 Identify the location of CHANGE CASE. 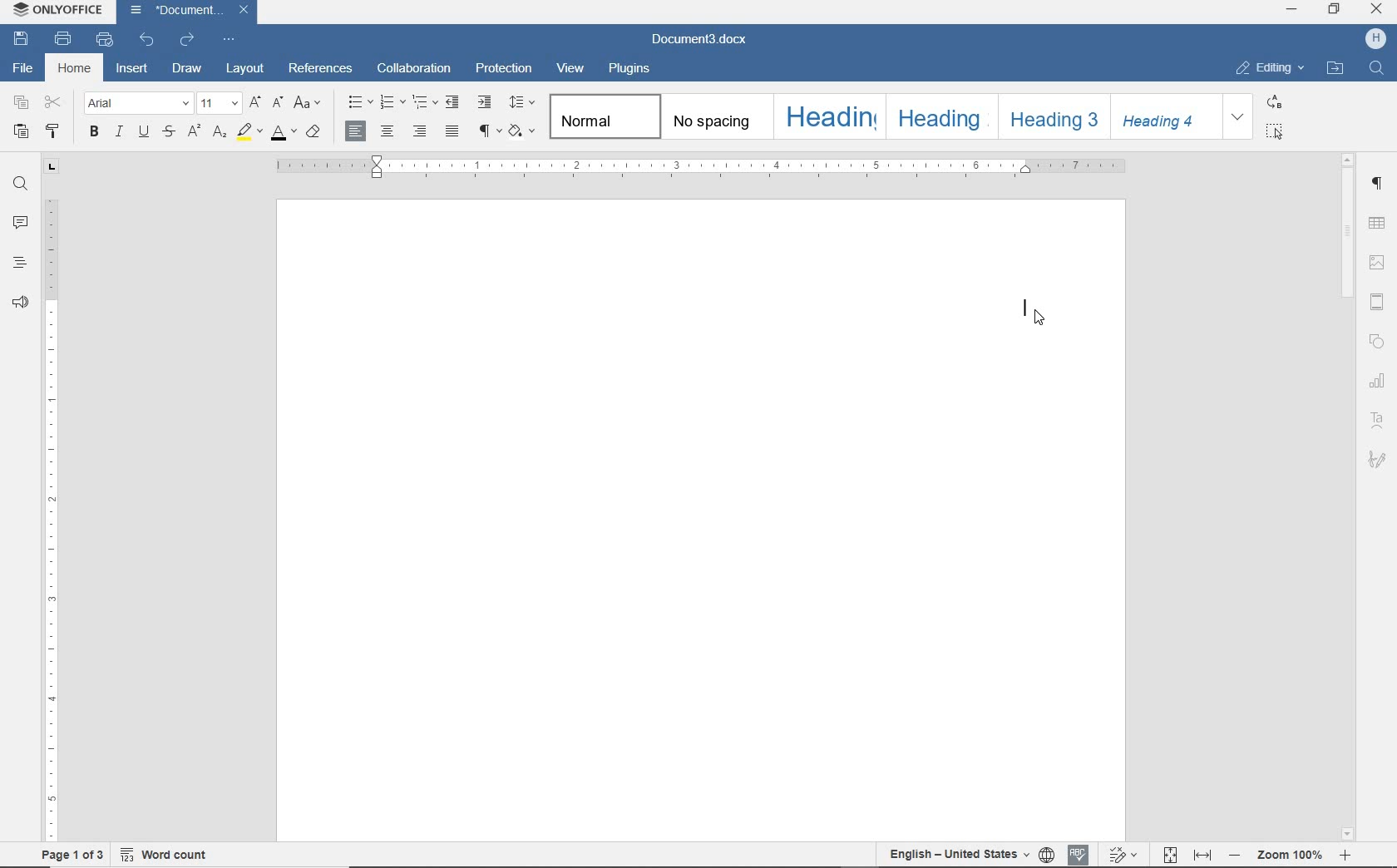
(308, 103).